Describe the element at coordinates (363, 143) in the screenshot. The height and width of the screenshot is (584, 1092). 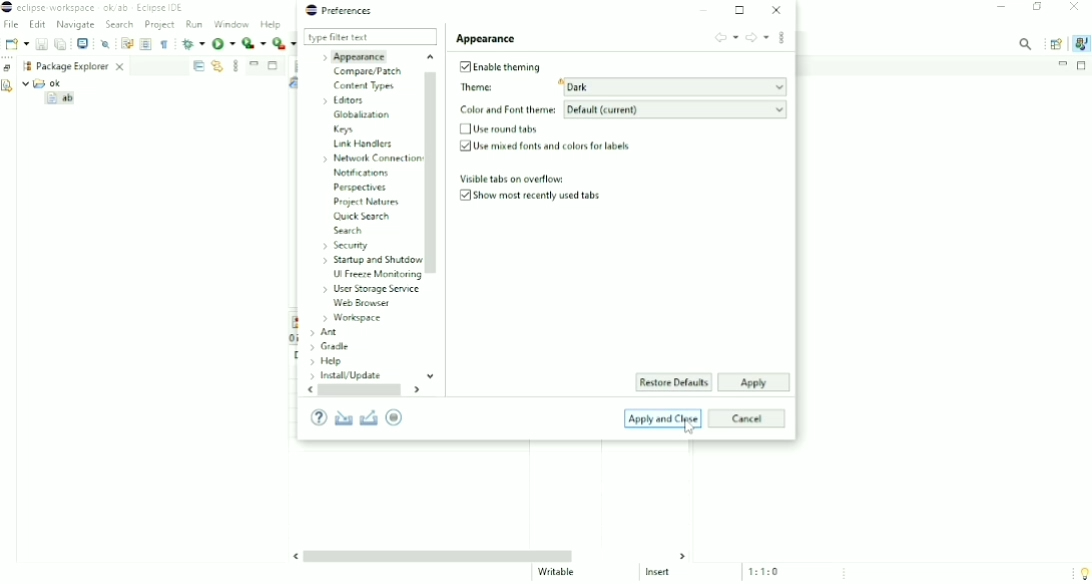
I see `Link Handlers` at that location.